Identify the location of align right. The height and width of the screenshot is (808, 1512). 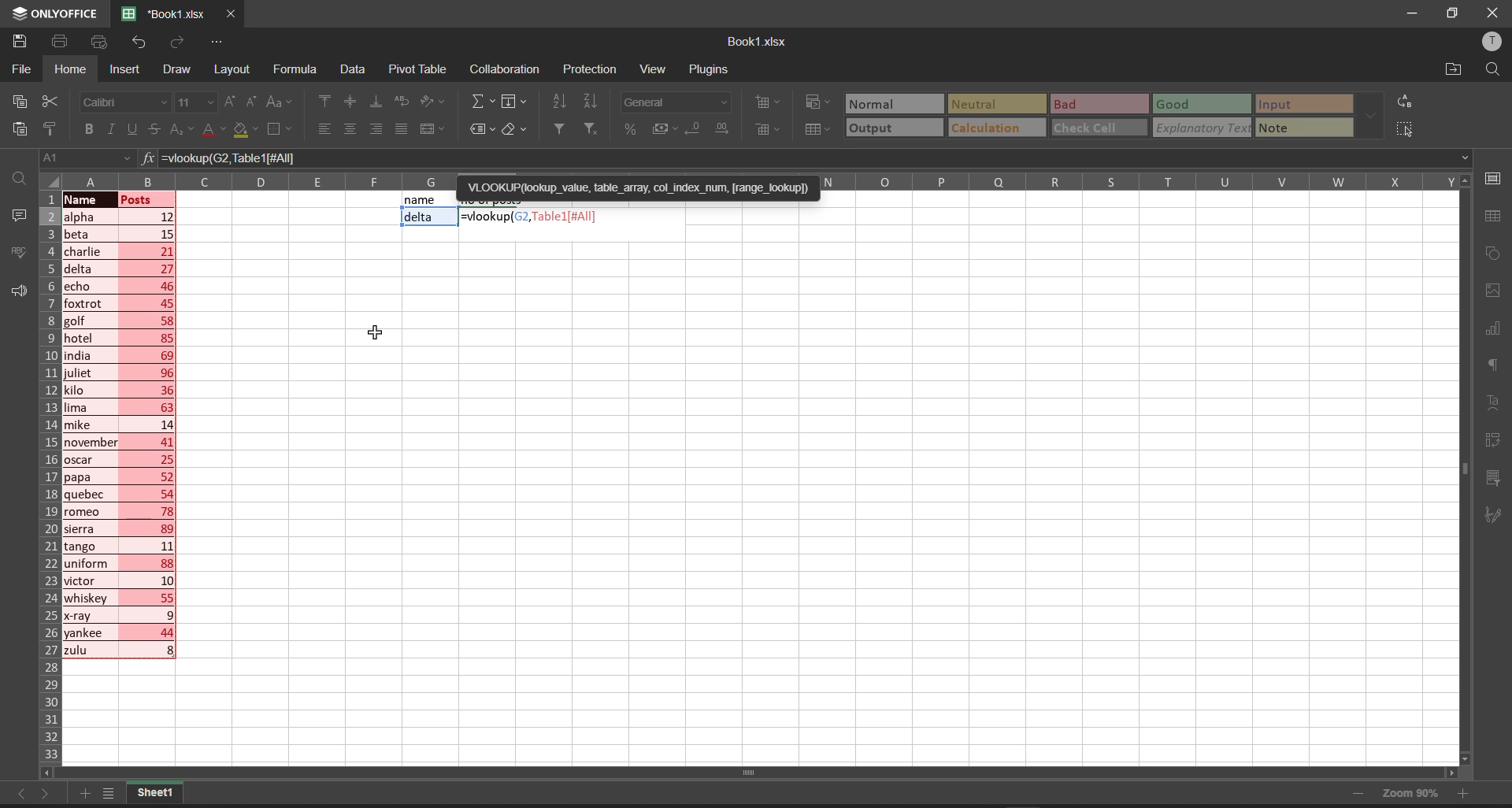
(372, 128).